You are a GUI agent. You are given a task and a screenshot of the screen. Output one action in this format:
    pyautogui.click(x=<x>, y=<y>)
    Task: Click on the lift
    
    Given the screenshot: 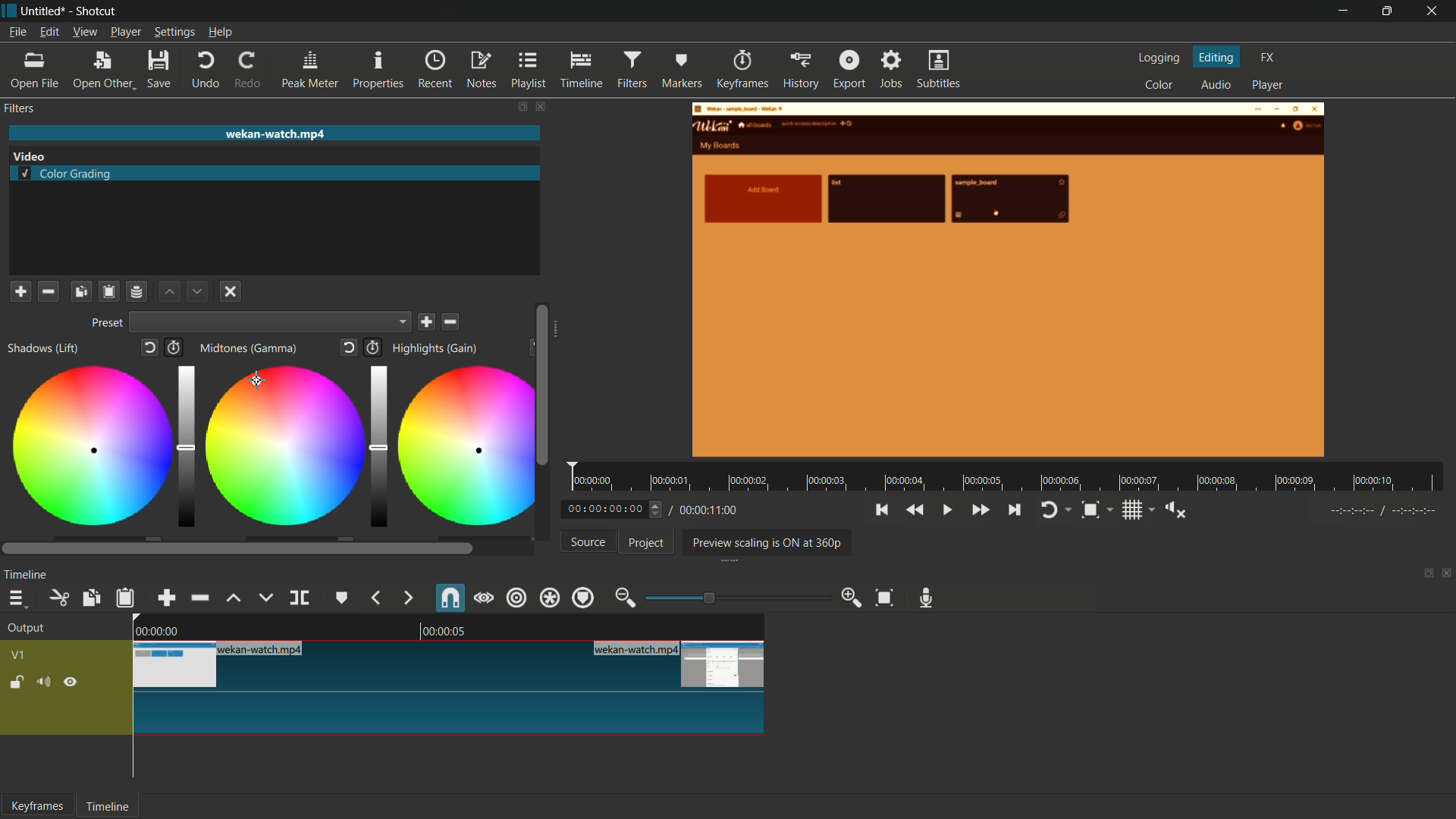 What is the action you would take?
    pyautogui.click(x=234, y=598)
    